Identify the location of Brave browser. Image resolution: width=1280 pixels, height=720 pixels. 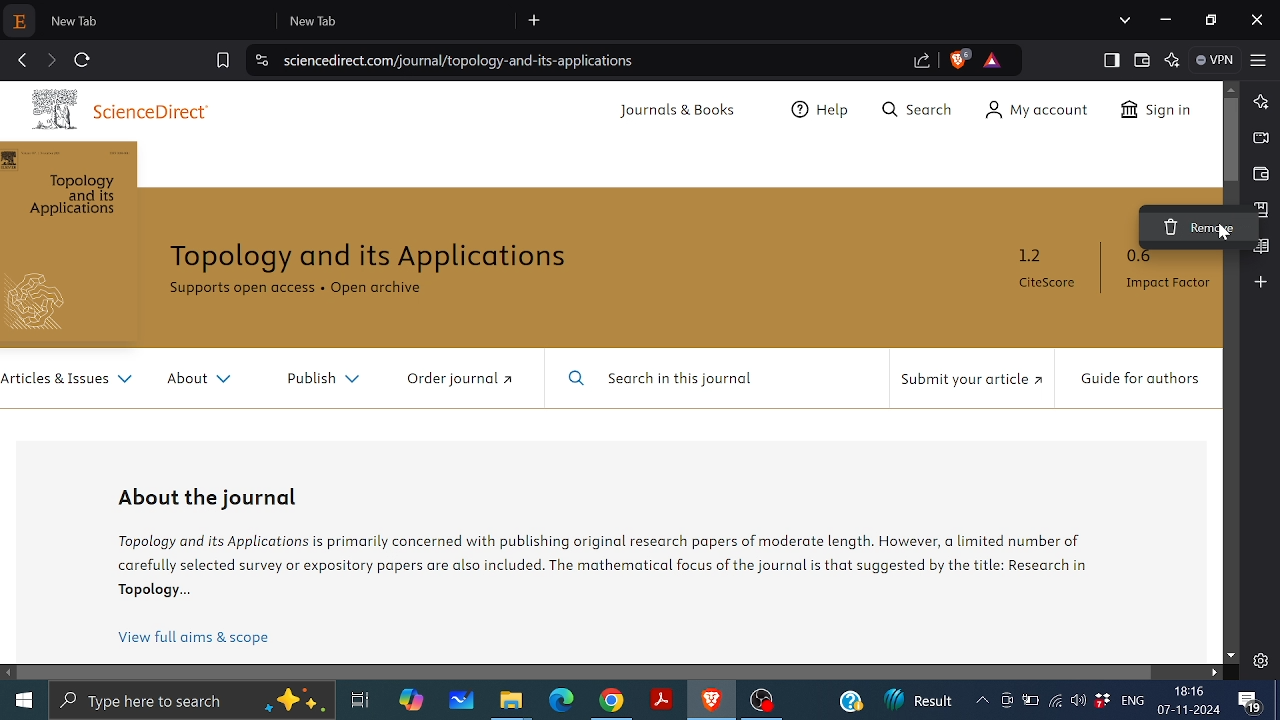
(710, 701).